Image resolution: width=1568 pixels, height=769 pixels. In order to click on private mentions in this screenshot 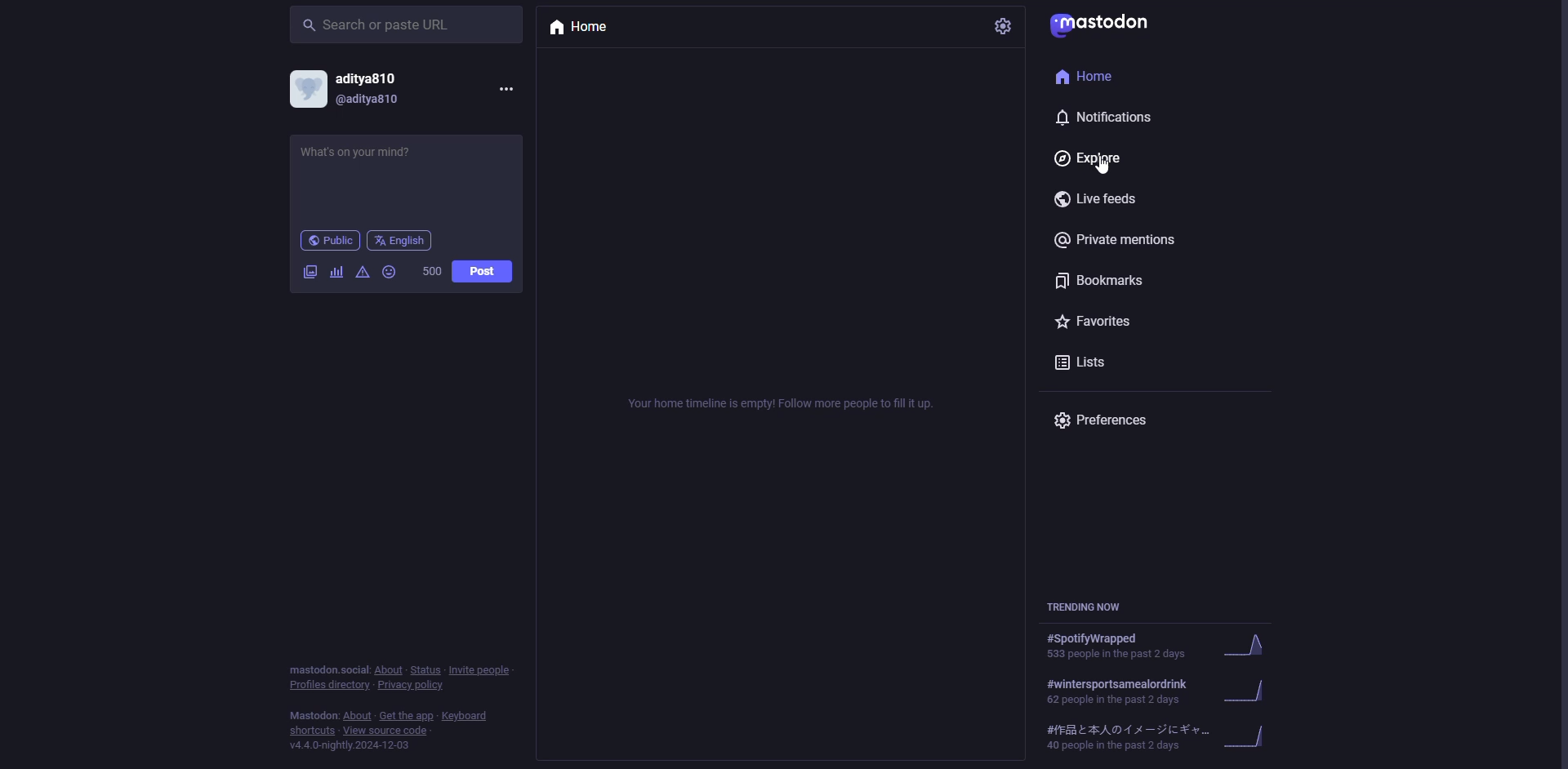, I will do `click(1120, 241)`.